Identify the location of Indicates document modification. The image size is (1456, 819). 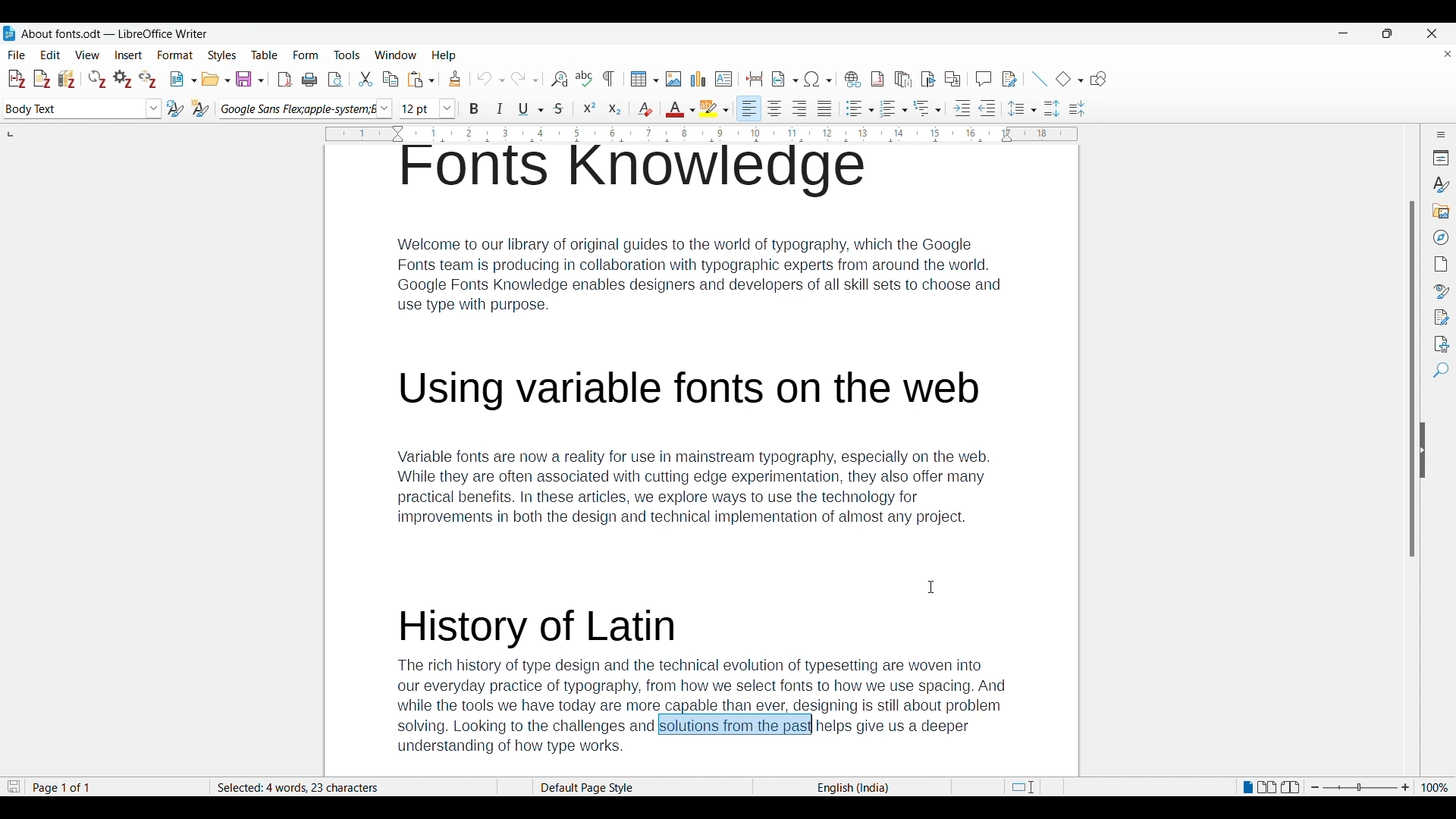
(14, 787).